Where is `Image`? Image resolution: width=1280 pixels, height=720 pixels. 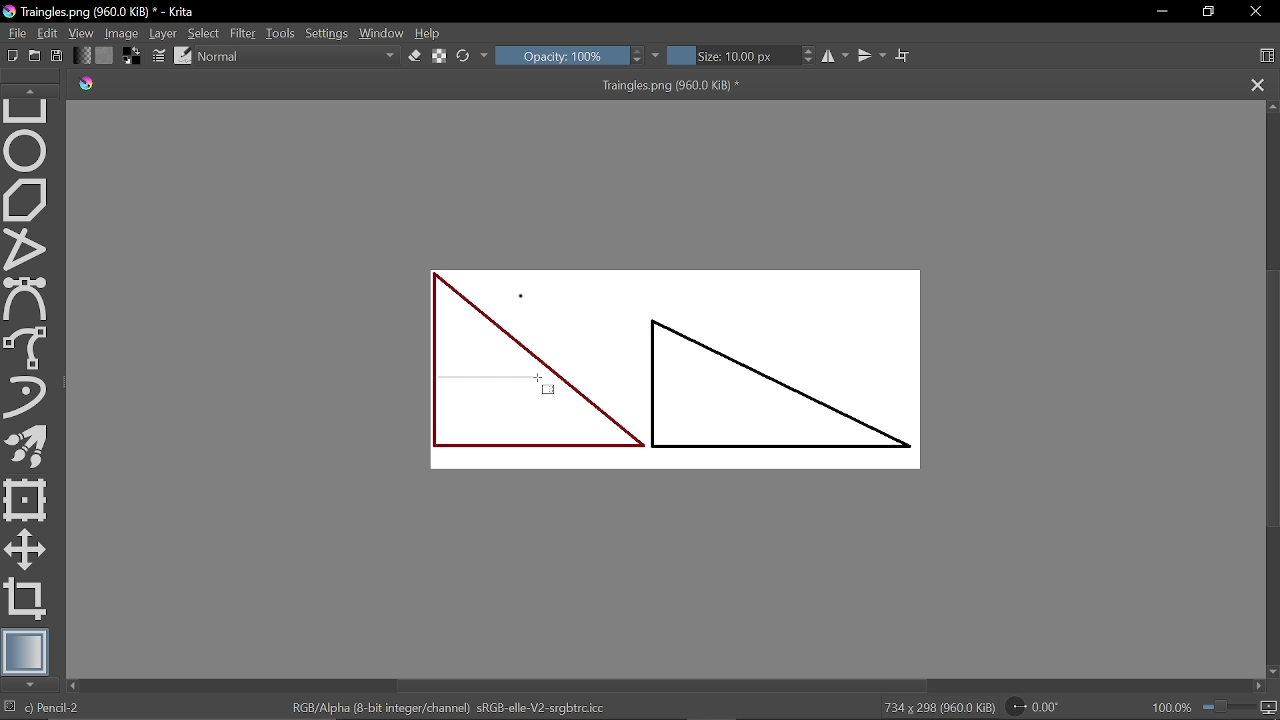 Image is located at coordinates (121, 33).